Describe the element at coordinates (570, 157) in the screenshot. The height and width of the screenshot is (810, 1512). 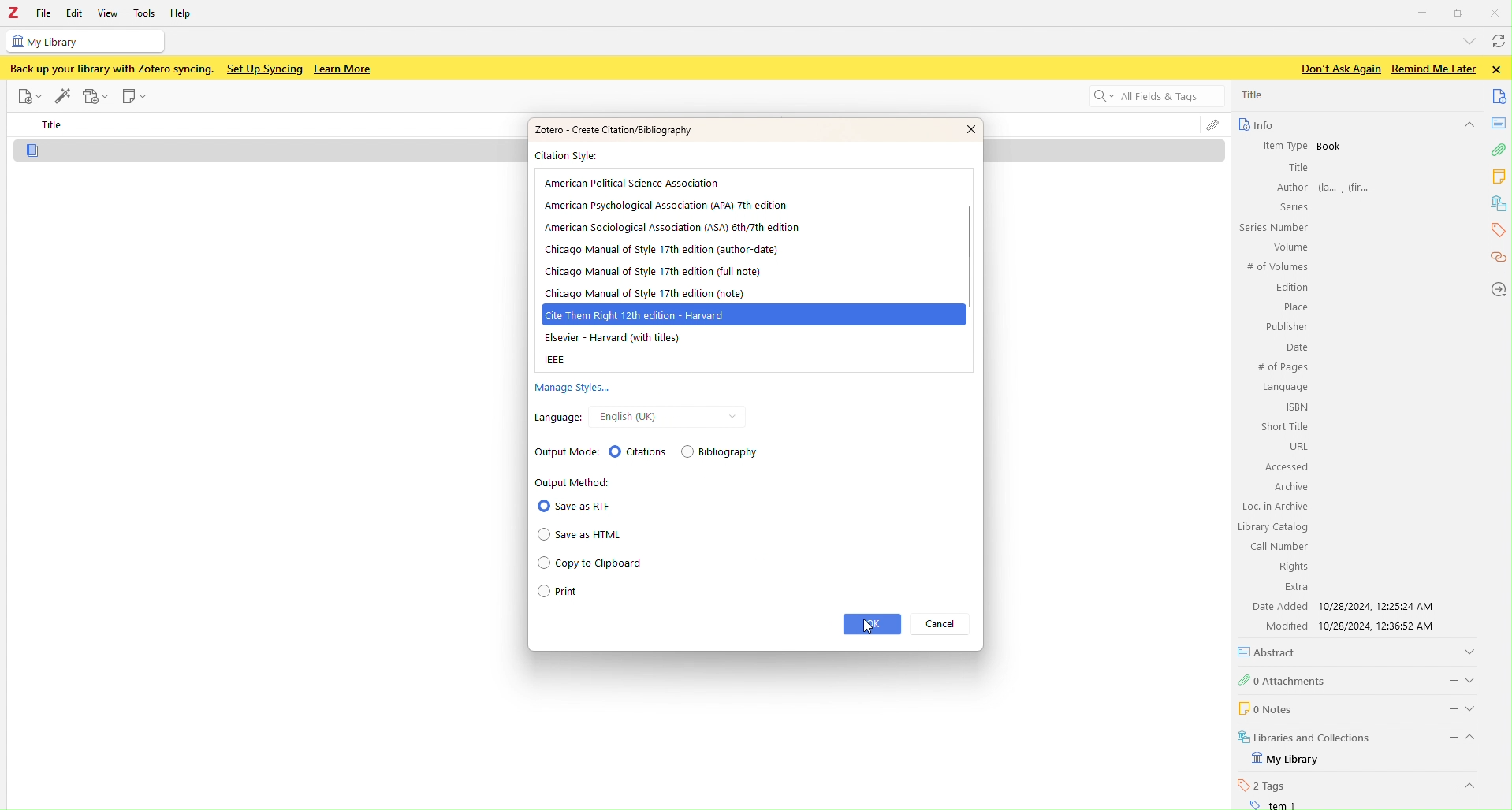
I see `Citation Style:` at that location.